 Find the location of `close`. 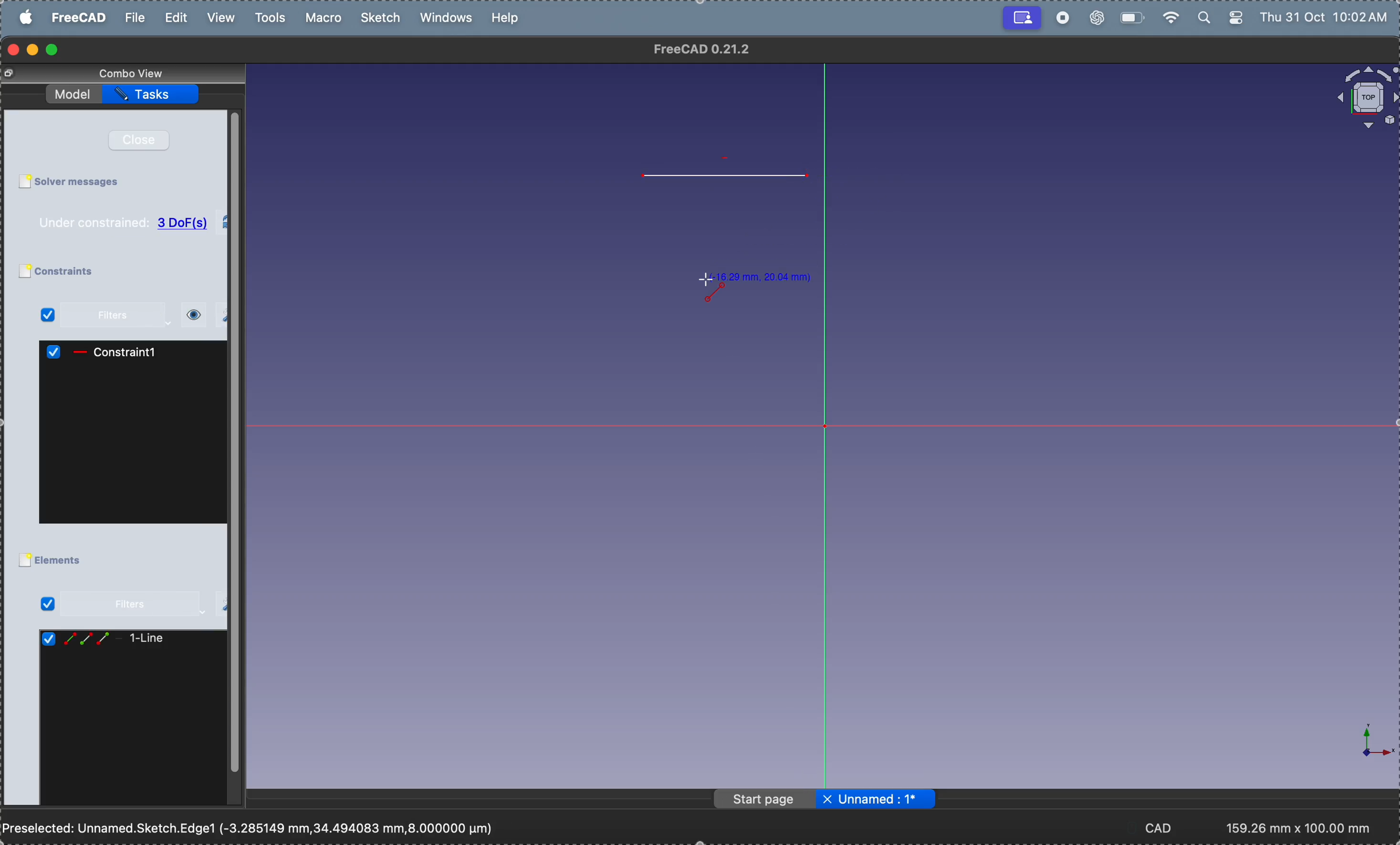

close is located at coordinates (143, 140).